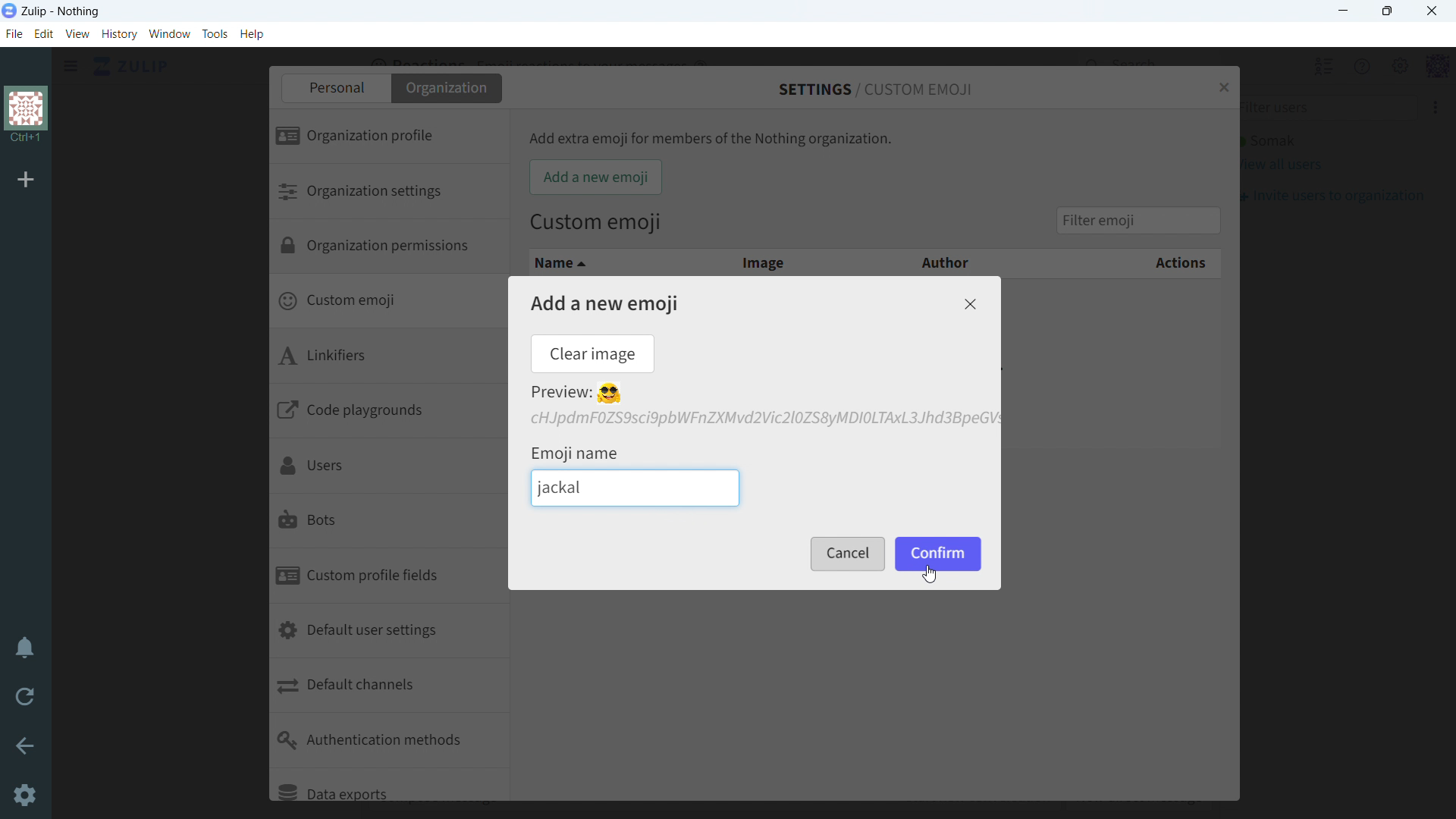 This screenshot has height=819, width=1456. I want to click on history, so click(119, 34).